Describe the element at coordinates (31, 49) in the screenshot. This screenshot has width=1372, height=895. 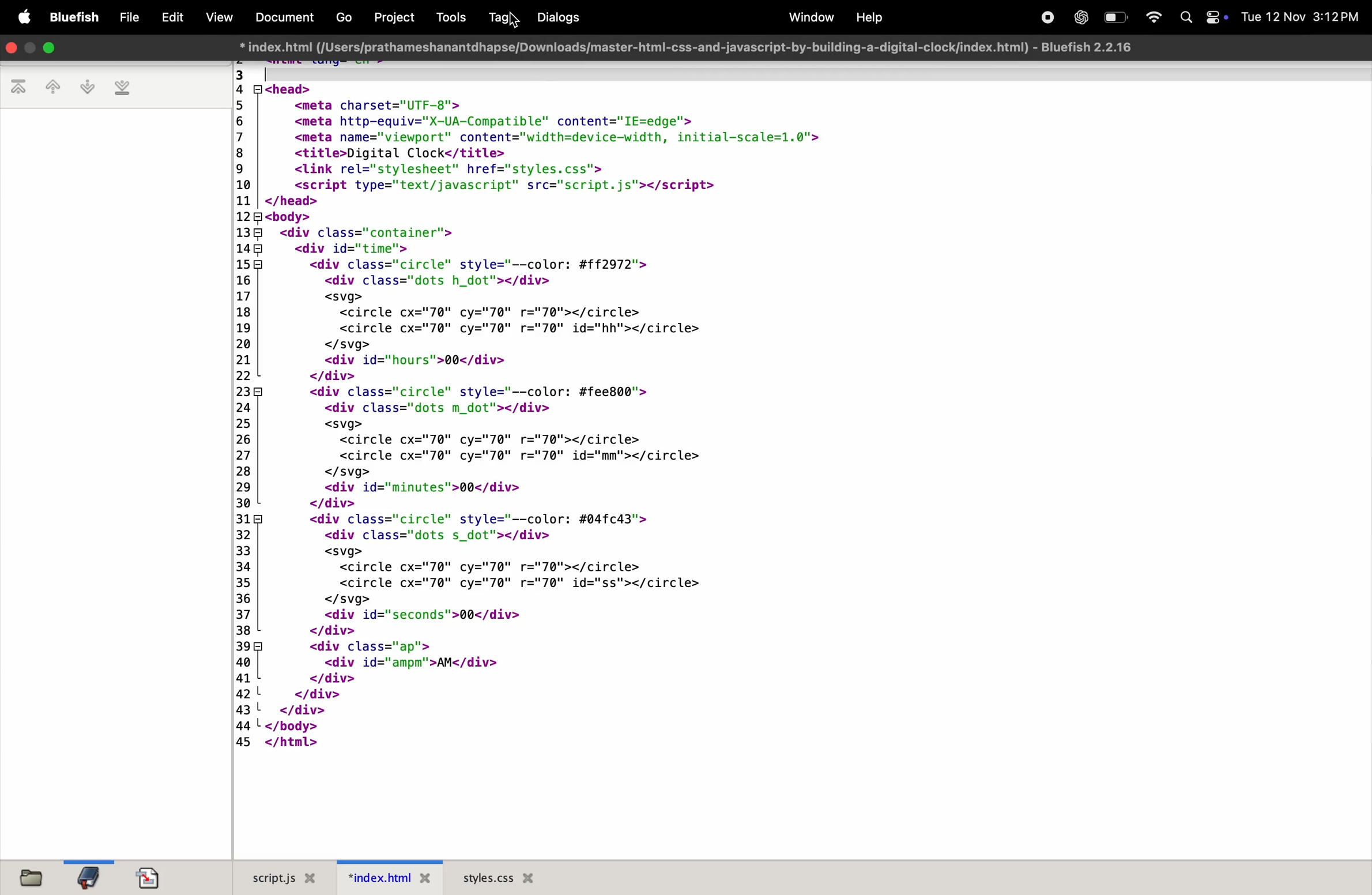
I see `minimize ` at that location.